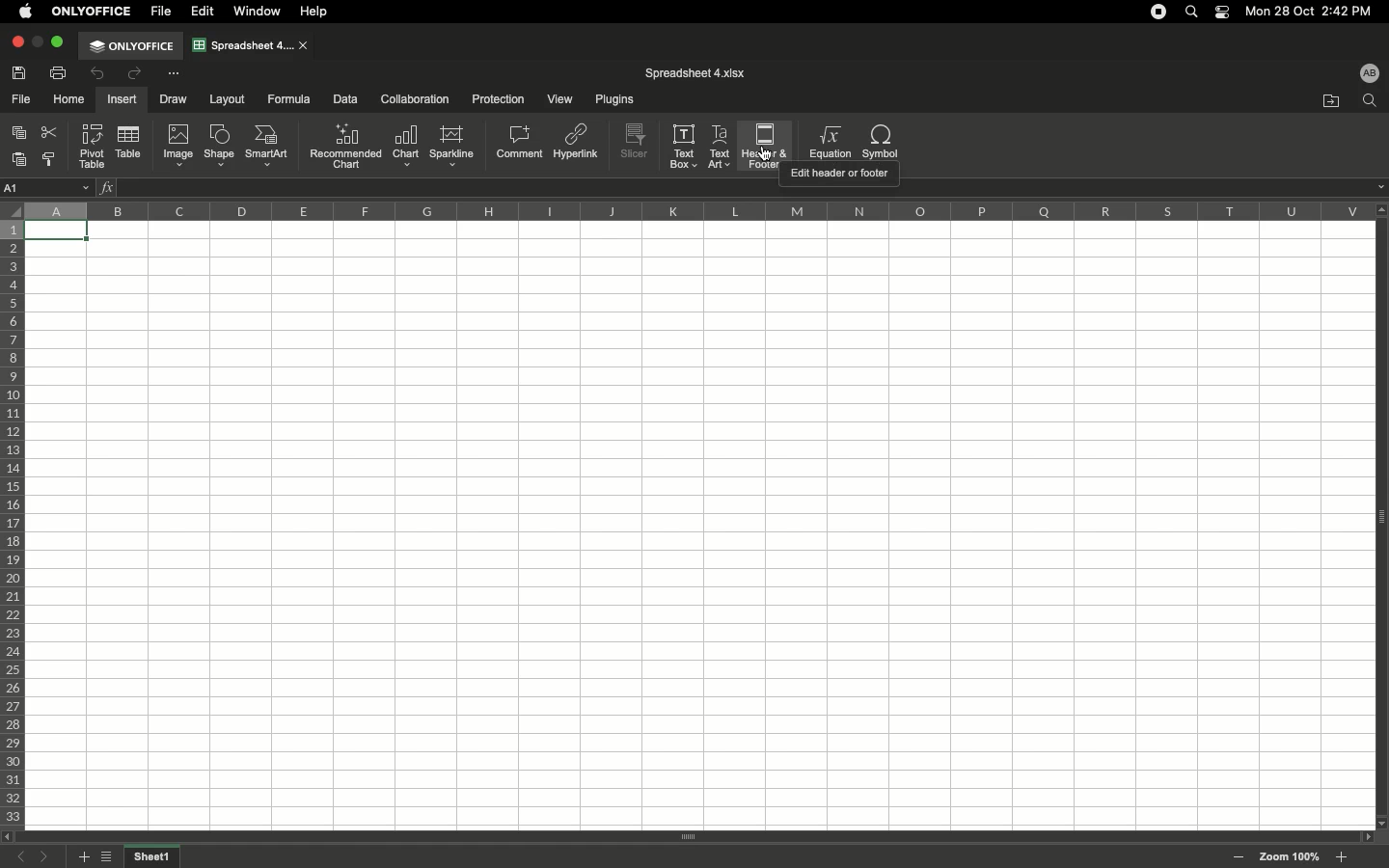 Image resolution: width=1389 pixels, height=868 pixels. Describe the element at coordinates (847, 173) in the screenshot. I see `Guide text` at that location.